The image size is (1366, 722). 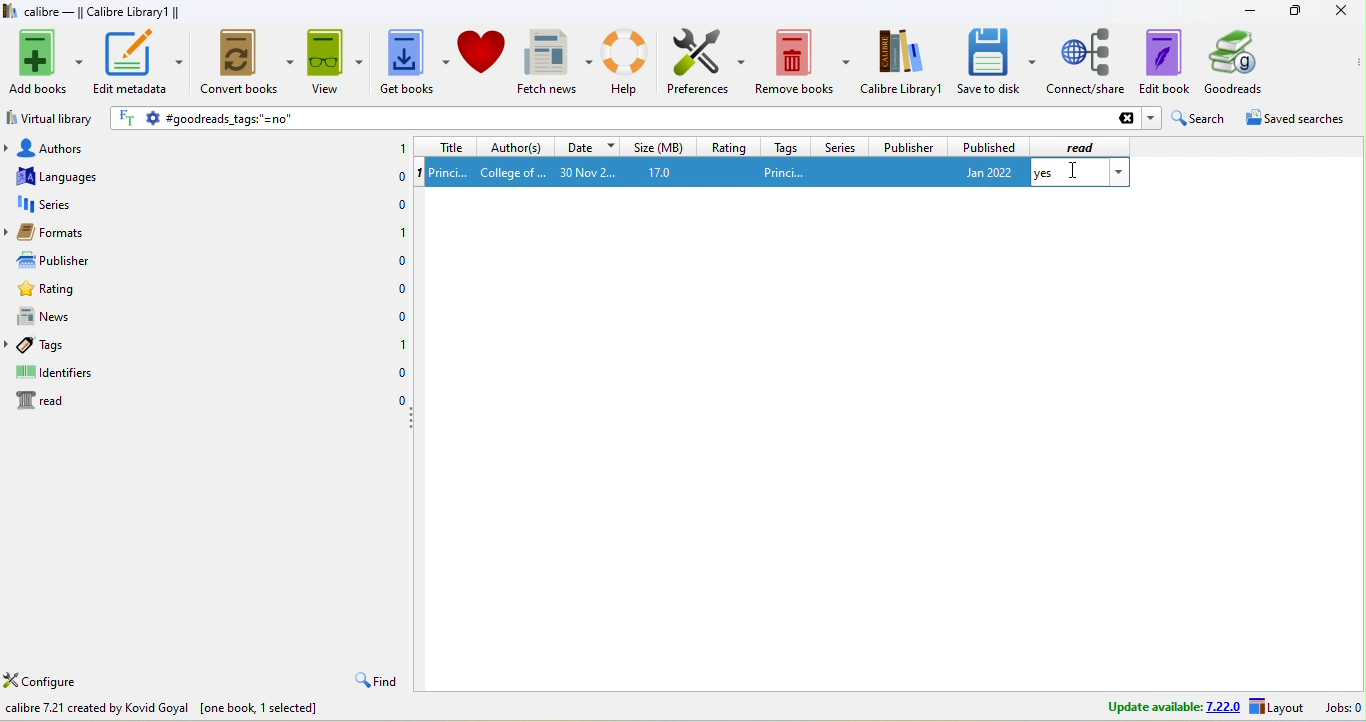 I want to click on configure, so click(x=53, y=679).